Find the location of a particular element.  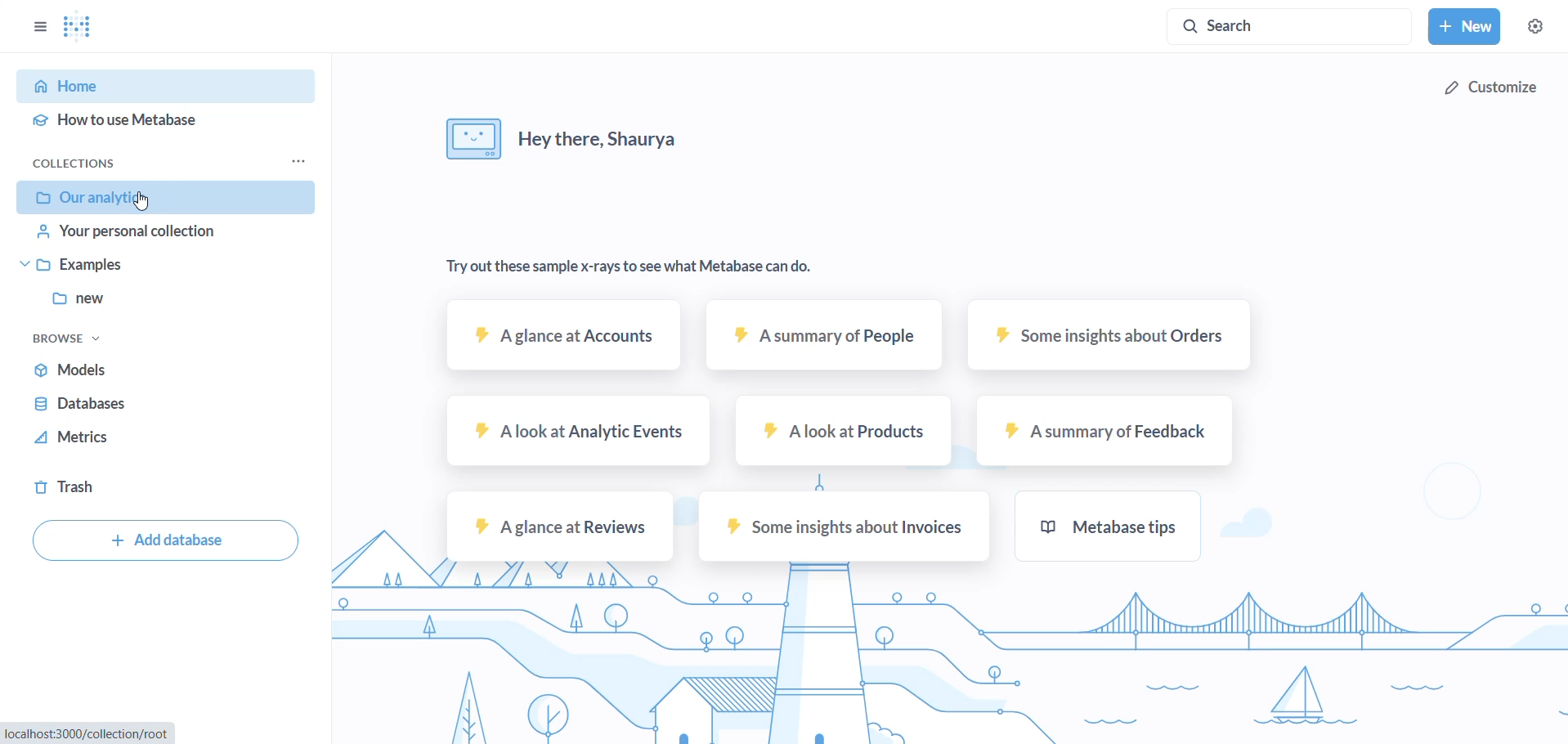

collection is located at coordinates (95, 164).